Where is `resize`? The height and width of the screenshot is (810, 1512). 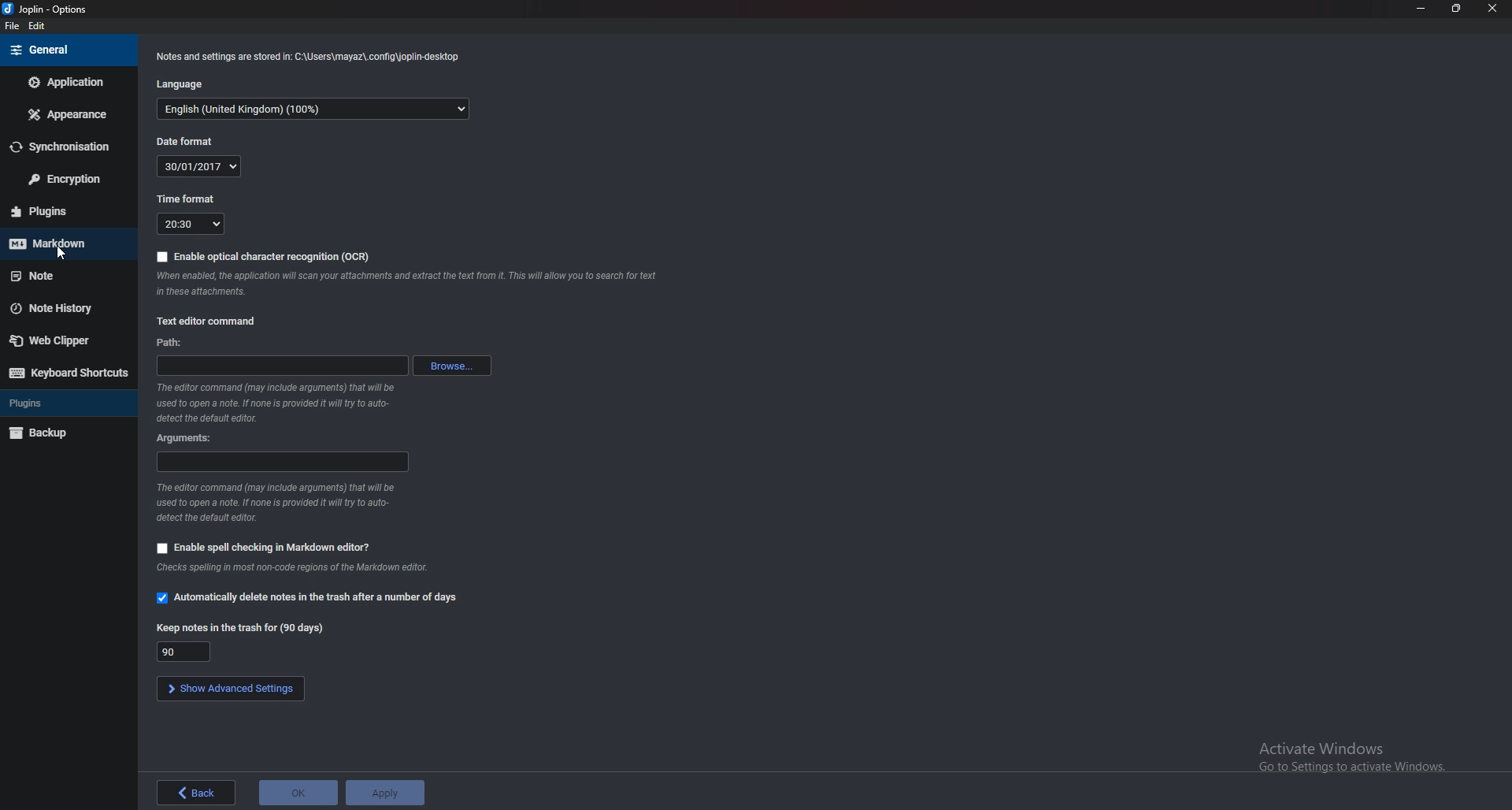
resize is located at coordinates (1456, 9).